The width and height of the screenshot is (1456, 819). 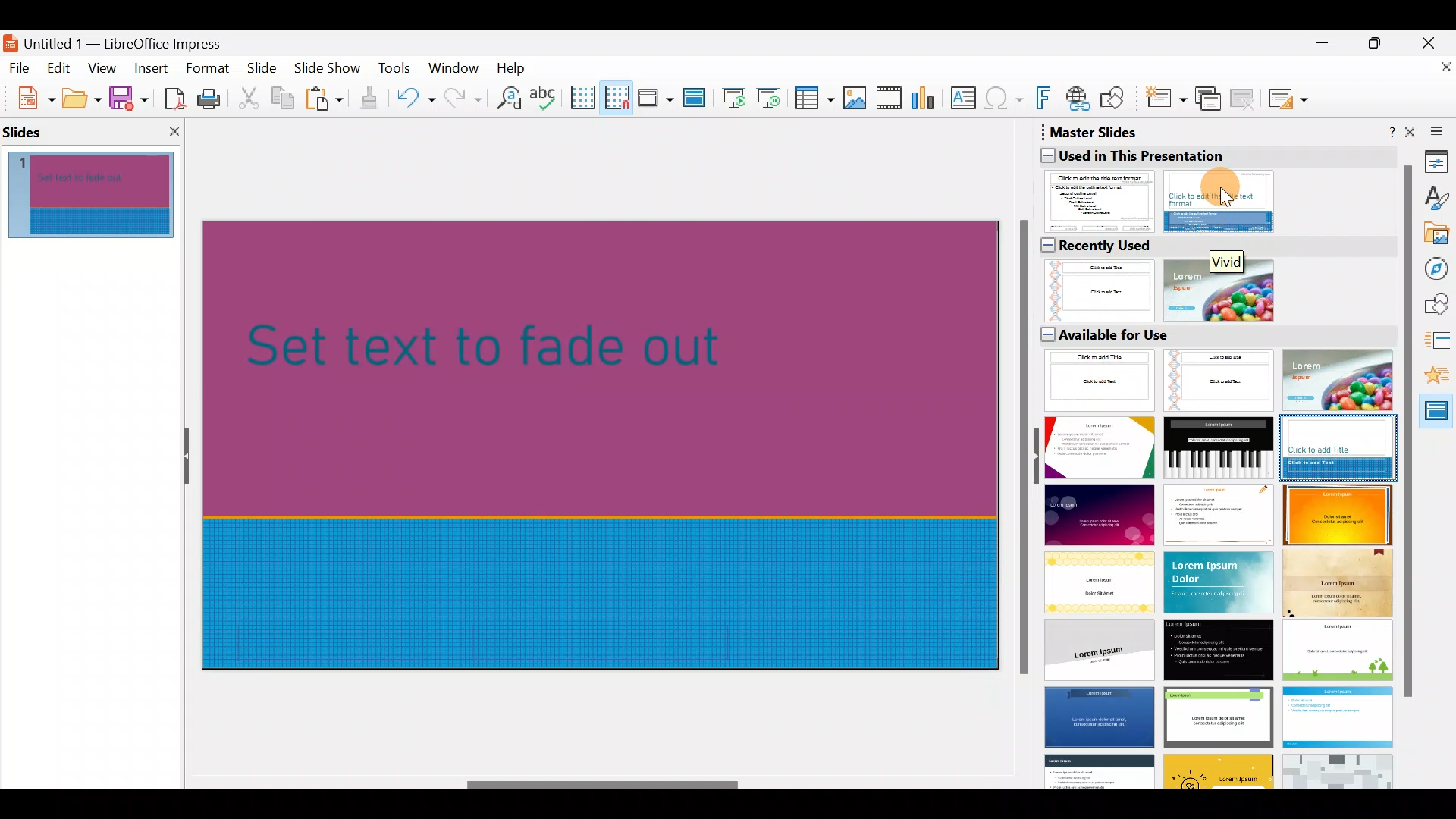 What do you see at coordinates (1437, 74) in the screenshot?
I see `Close document` at bounding box center [1437, 74].